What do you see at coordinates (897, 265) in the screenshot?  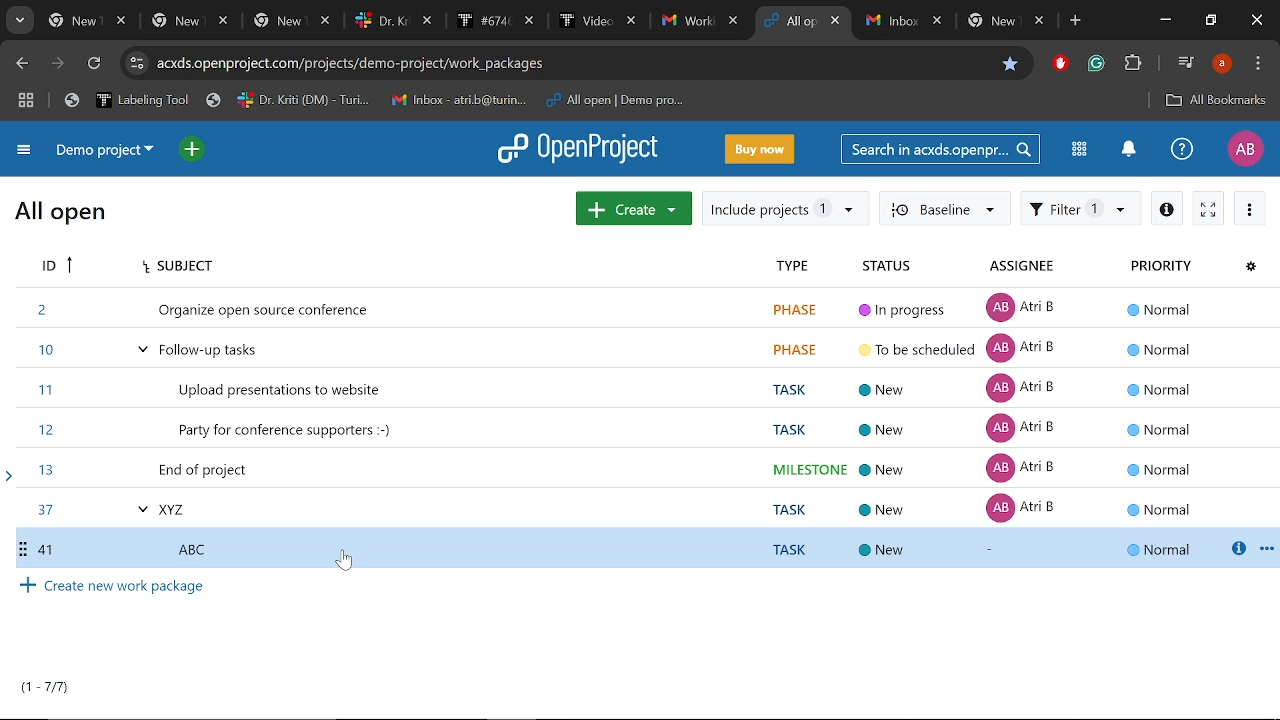 I see `Status` at bounding box center [897, 265].